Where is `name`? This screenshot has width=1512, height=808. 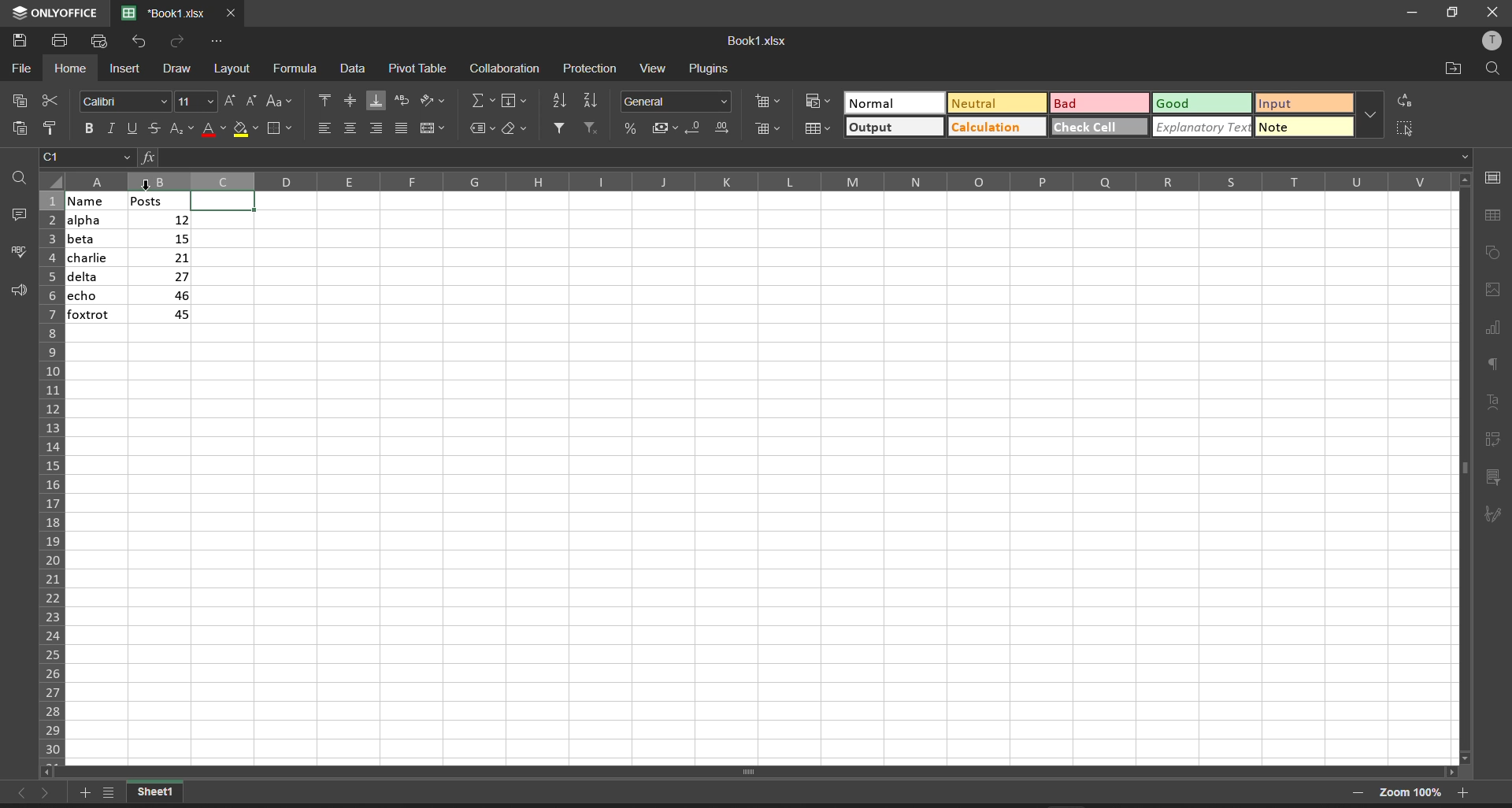
name is located at coordinates (90, 259).